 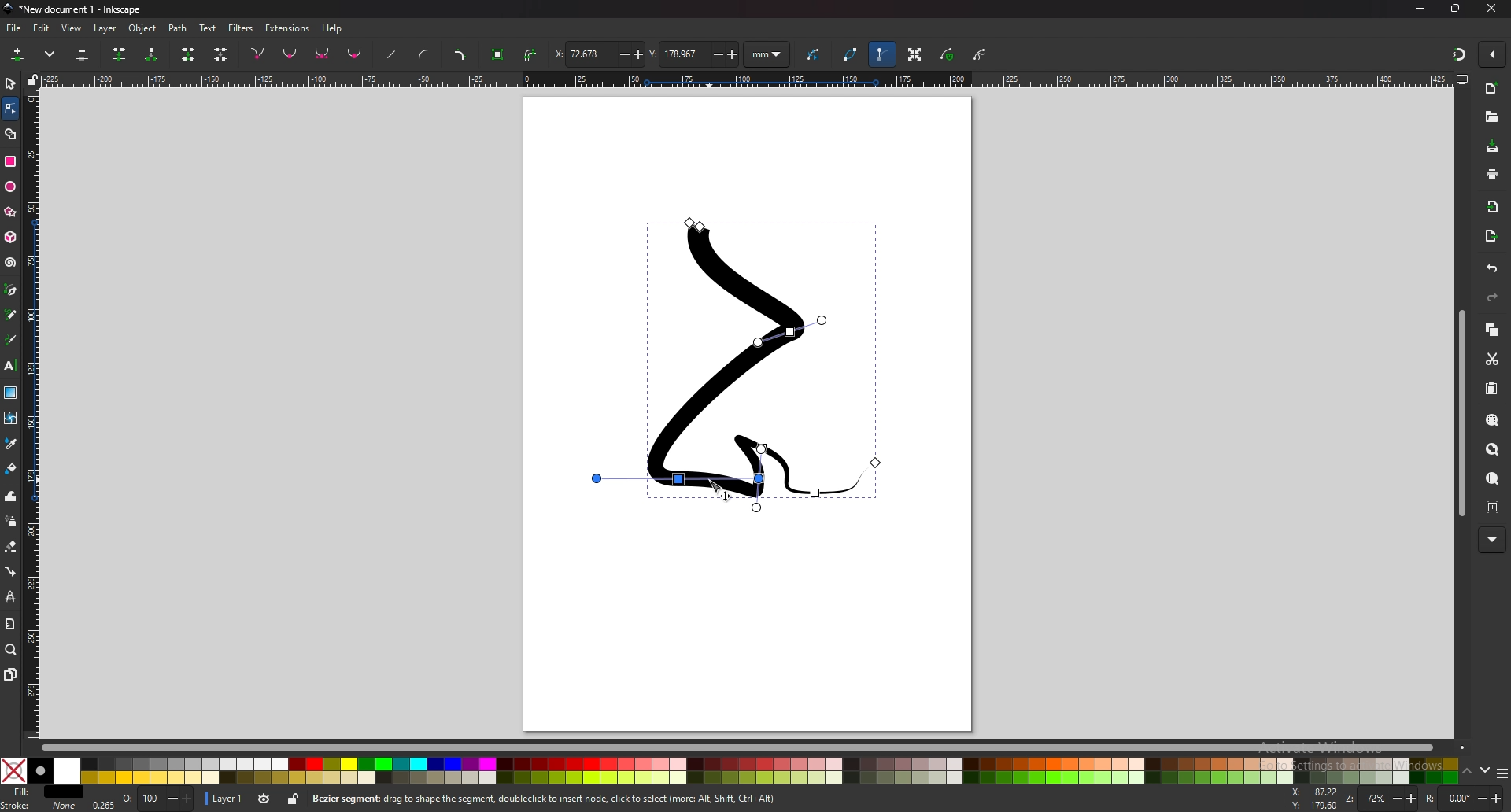 I want to click on node, so click(x=10, y=109).